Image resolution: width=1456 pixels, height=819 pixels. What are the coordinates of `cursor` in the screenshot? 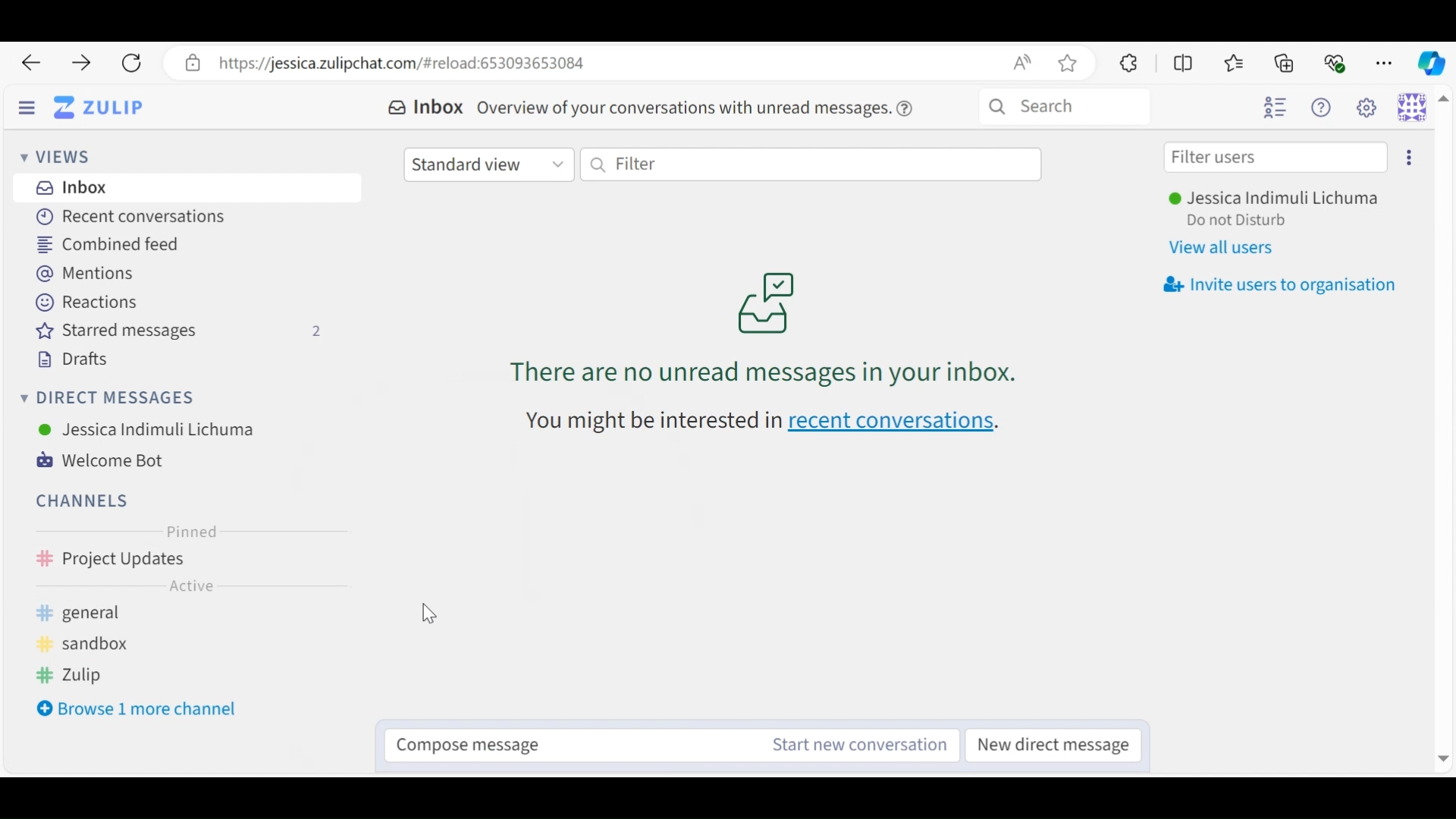 It's located at (428, 617).